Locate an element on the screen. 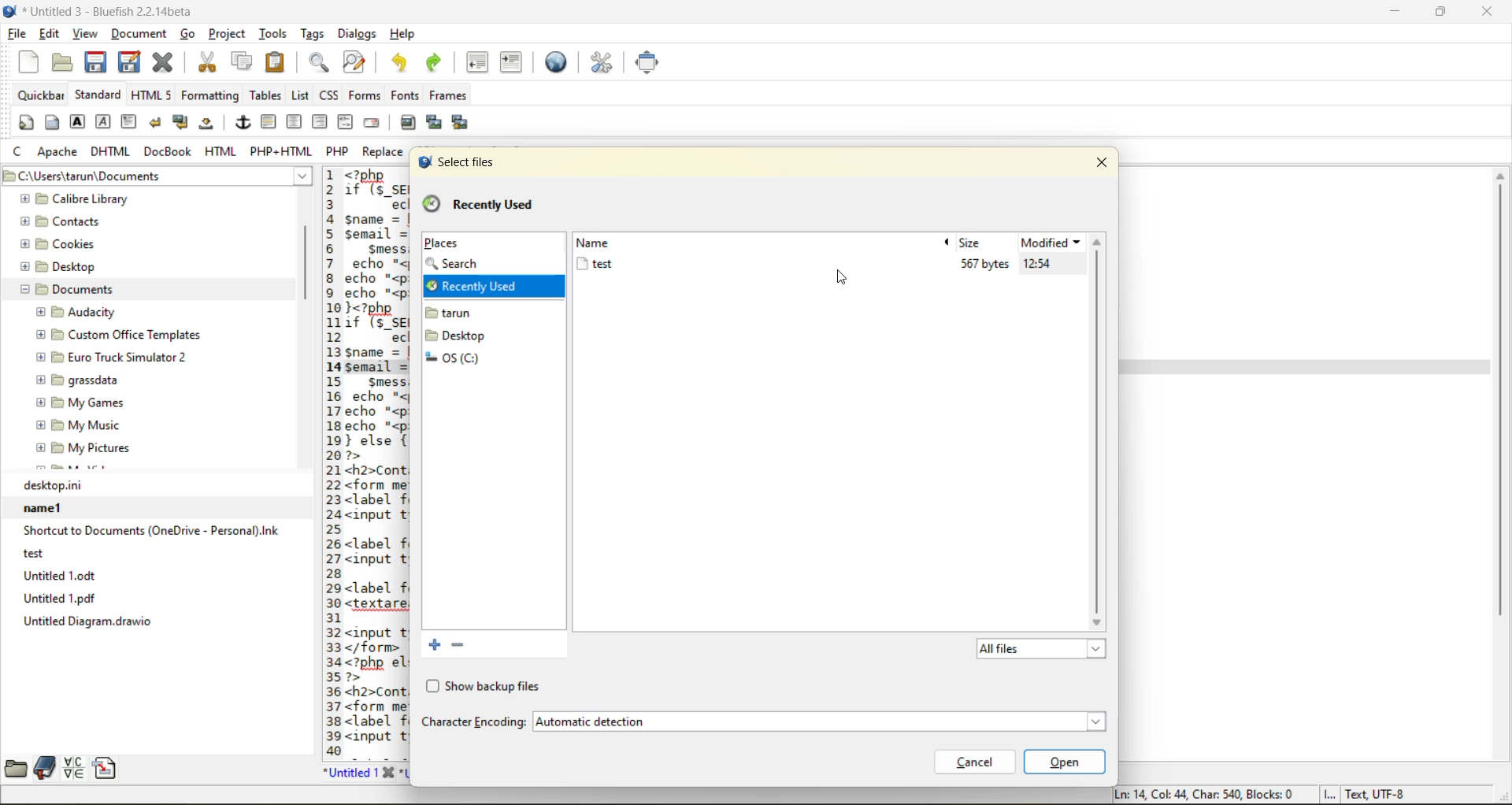 This screenshot has height=805, width=1512. insert image is located at coordinates (410, 123).